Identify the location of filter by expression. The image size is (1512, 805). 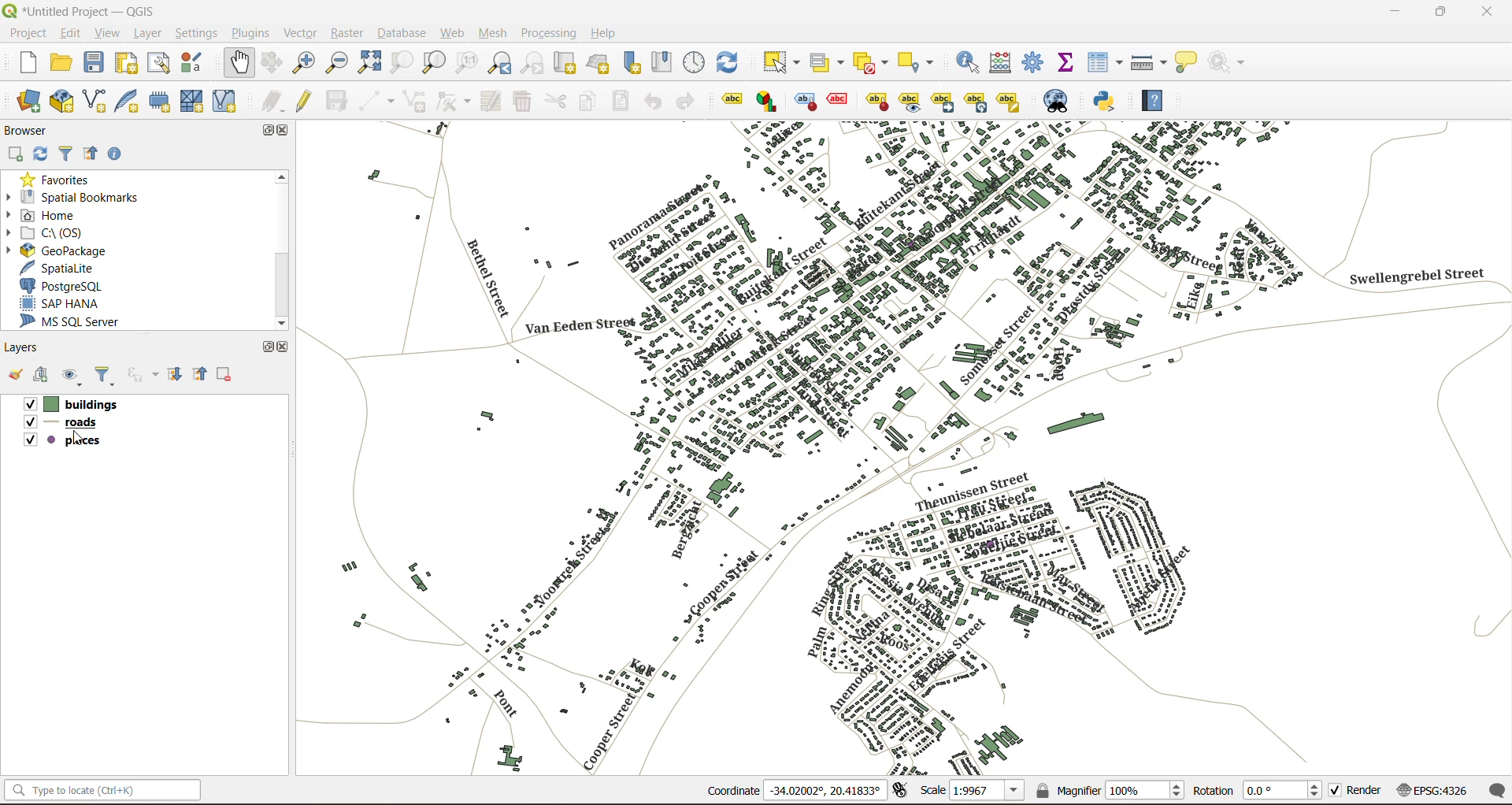
(143, 375).